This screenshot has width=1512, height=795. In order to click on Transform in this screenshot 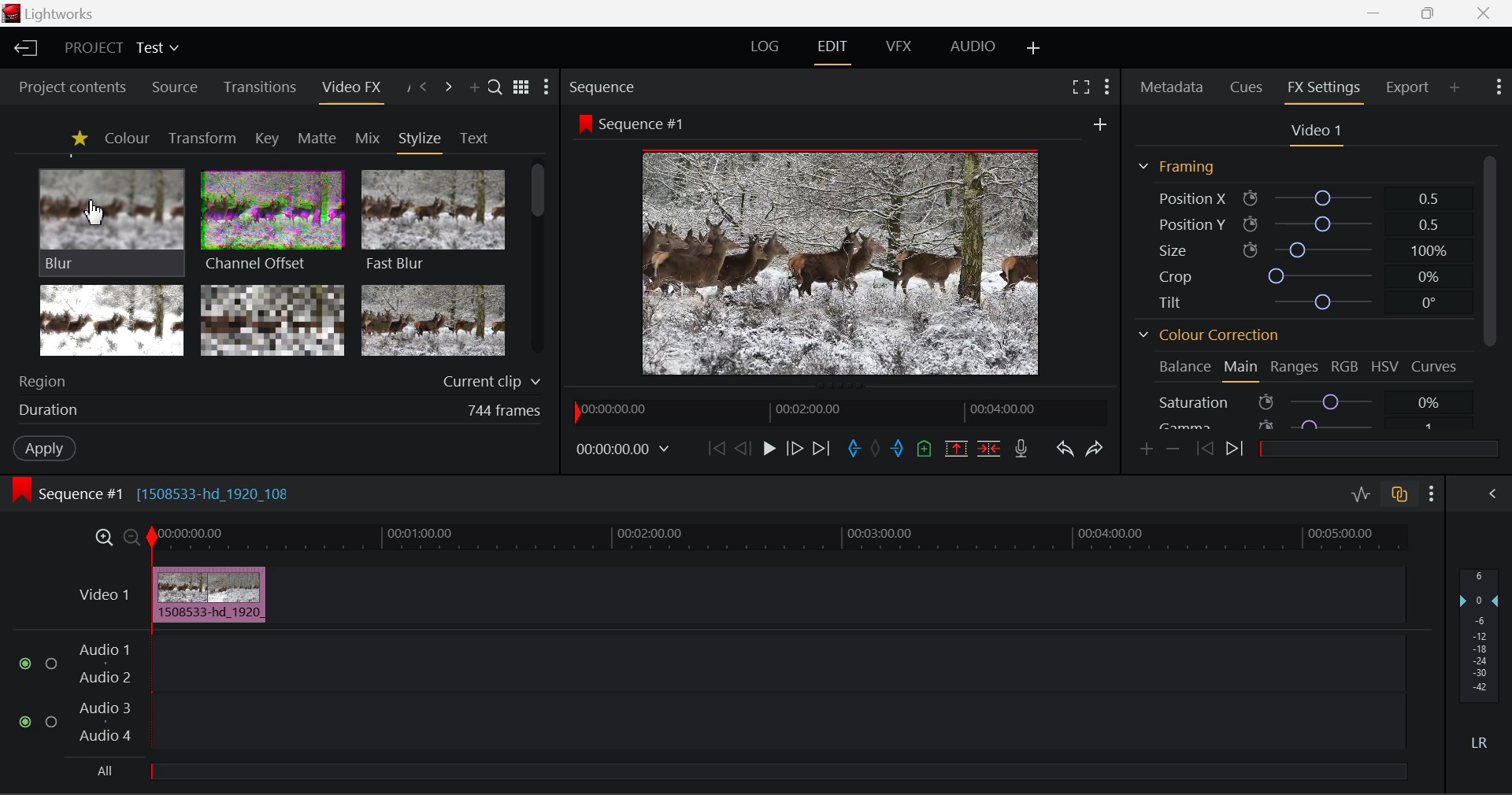, I will do `click(202, 138)`.